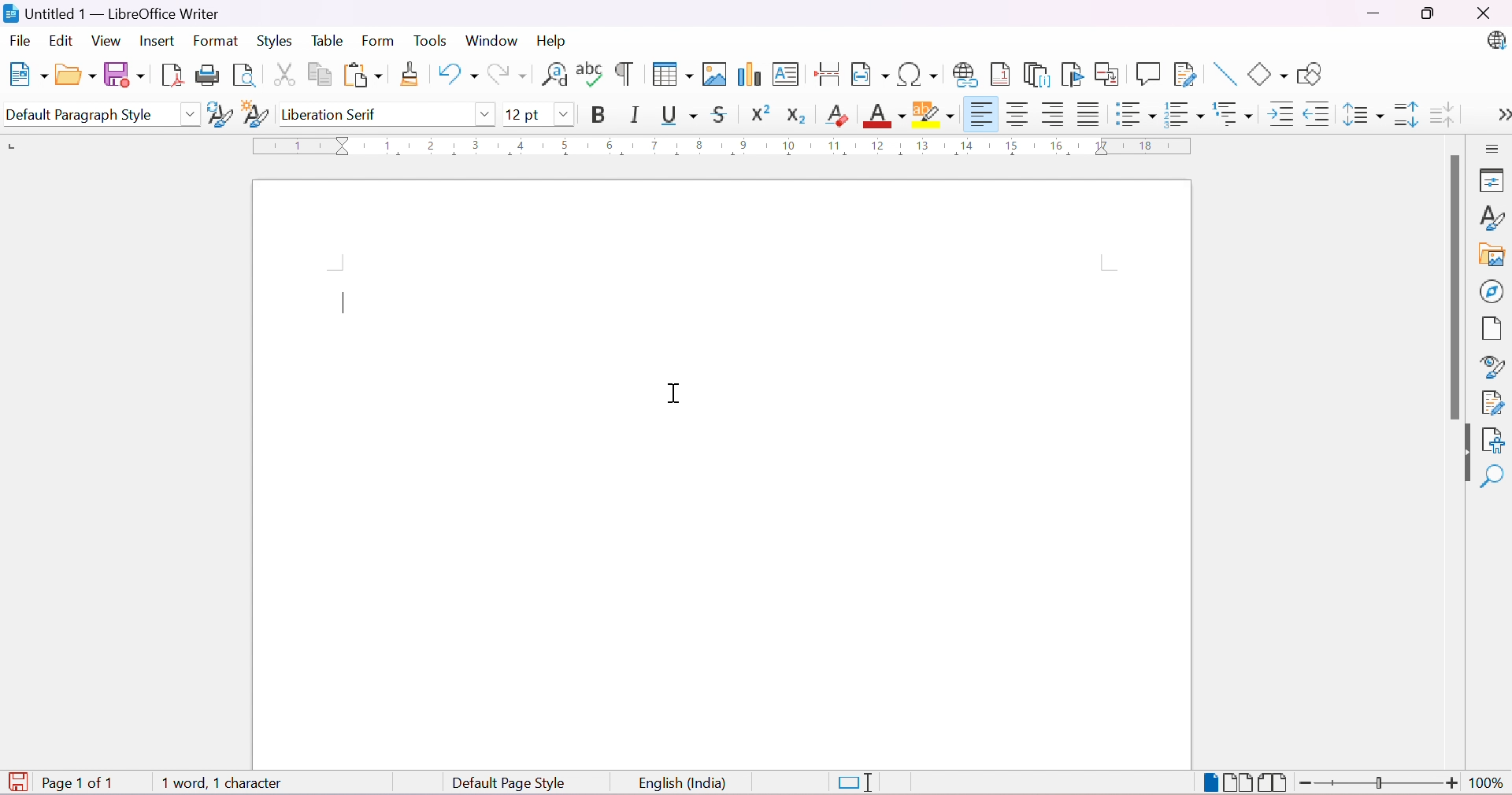 This screenshot has width=1512, height=795. What do you see at coordinates (217, 40) in the screenshot?
I see `Format` at bounding box center [217, 40].